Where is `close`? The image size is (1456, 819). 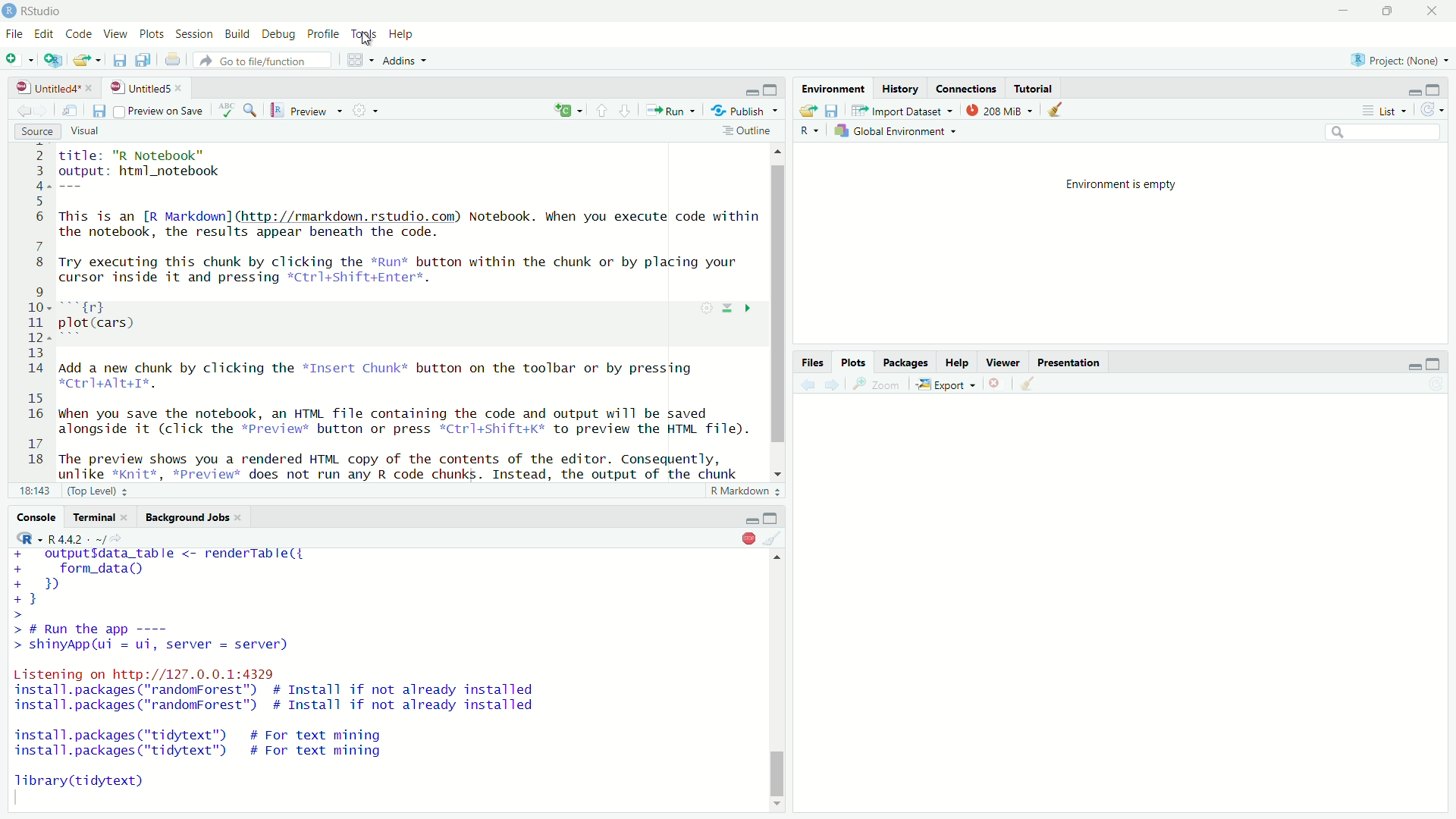
close is located at coordinates (999, 383).